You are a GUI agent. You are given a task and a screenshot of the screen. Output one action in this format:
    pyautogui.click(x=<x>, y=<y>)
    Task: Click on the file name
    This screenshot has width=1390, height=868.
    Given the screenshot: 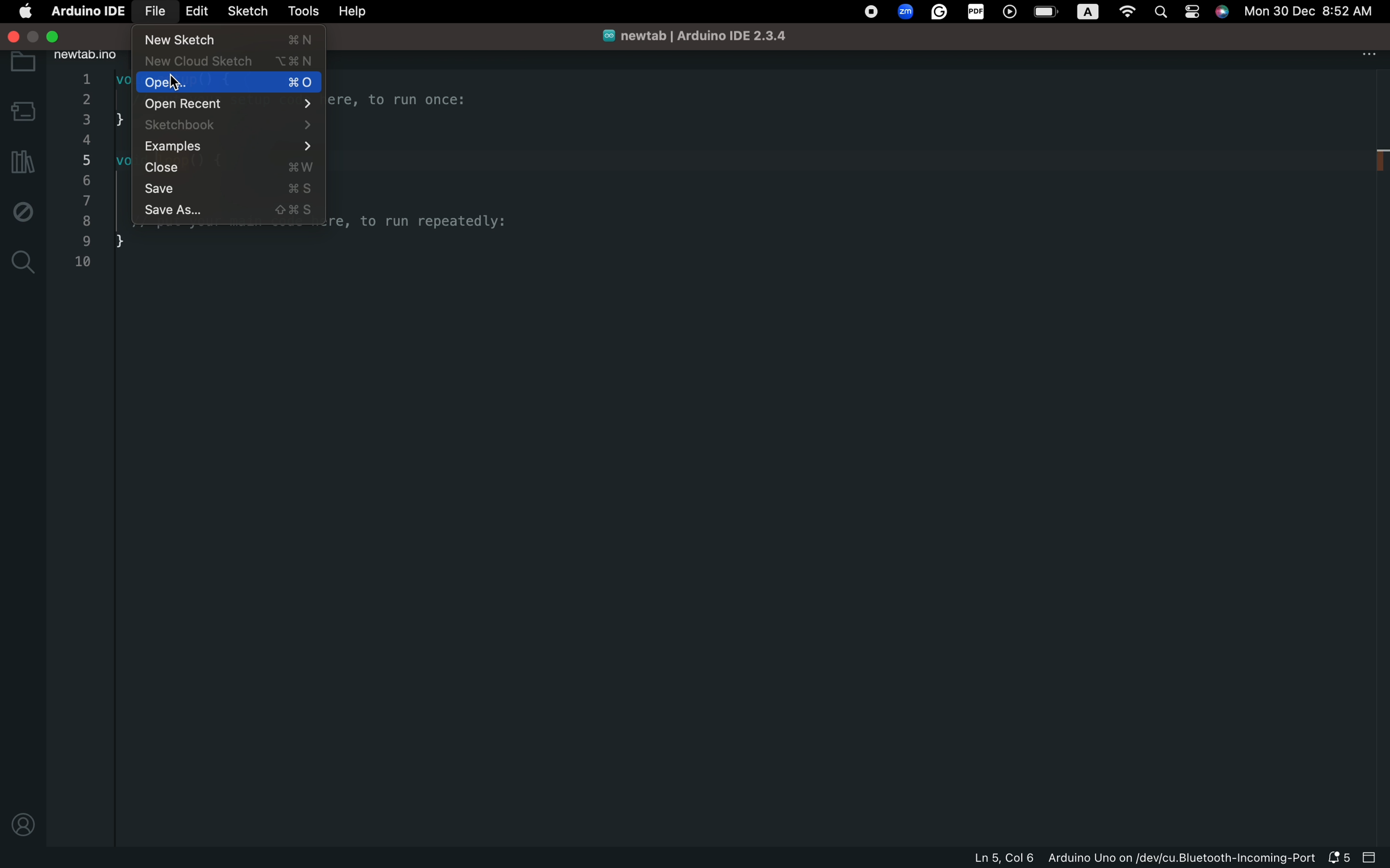 What is the action you would take?
    pyautogui.click(x=679, y=36)
    